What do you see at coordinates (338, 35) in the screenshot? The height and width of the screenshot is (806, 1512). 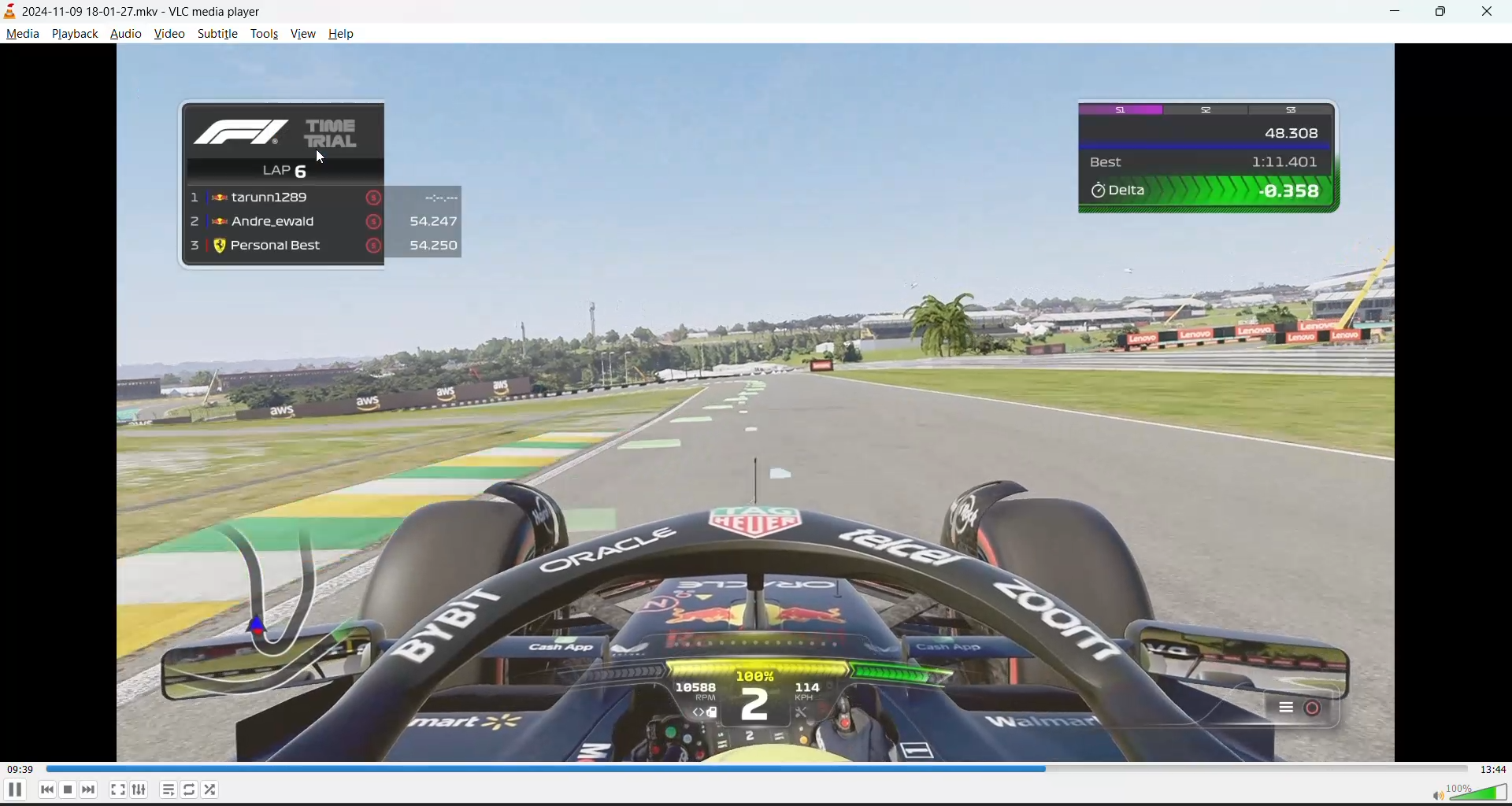 I see `help` at bounding box center [338, 35].